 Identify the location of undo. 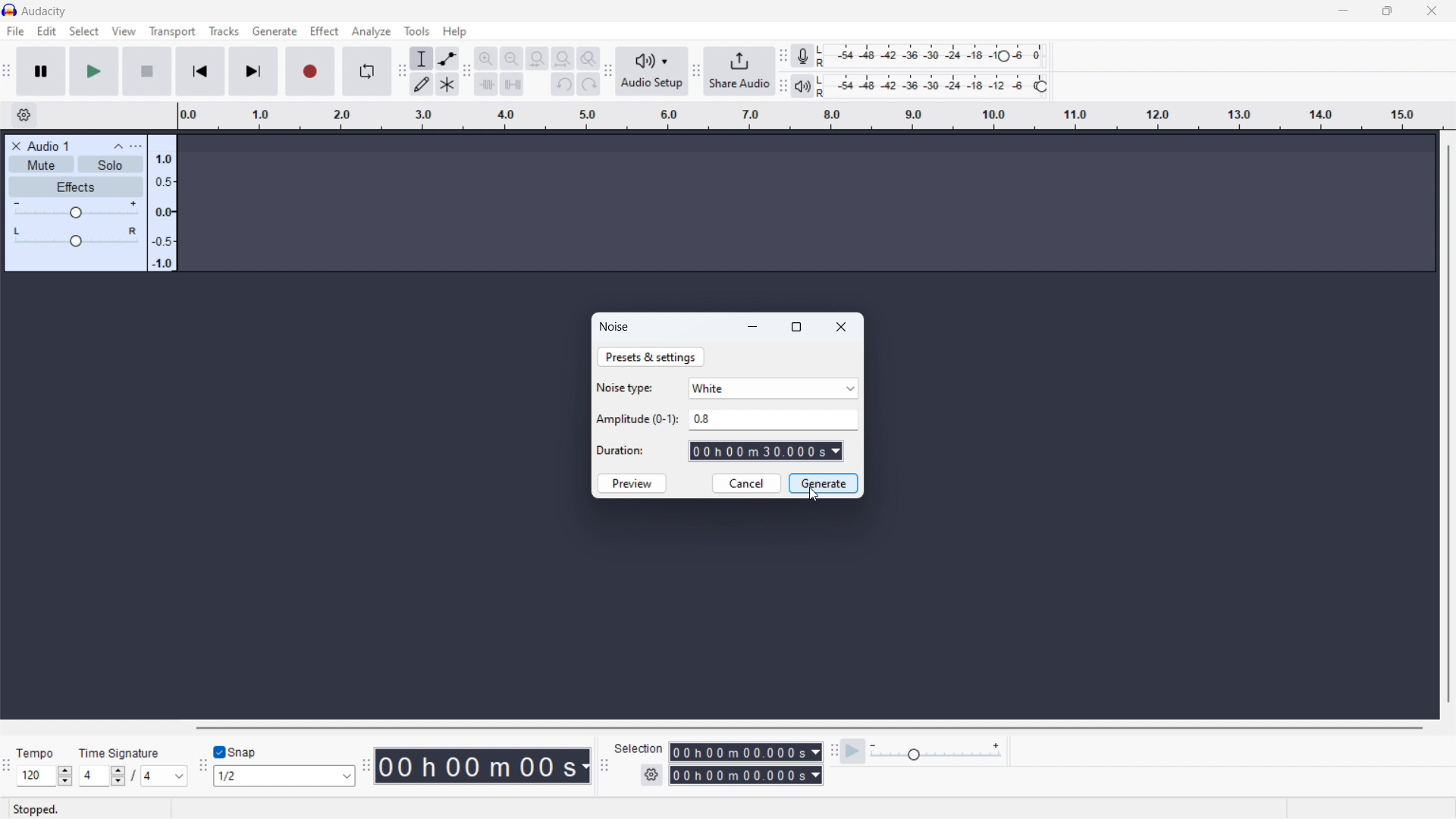
(563, 84).